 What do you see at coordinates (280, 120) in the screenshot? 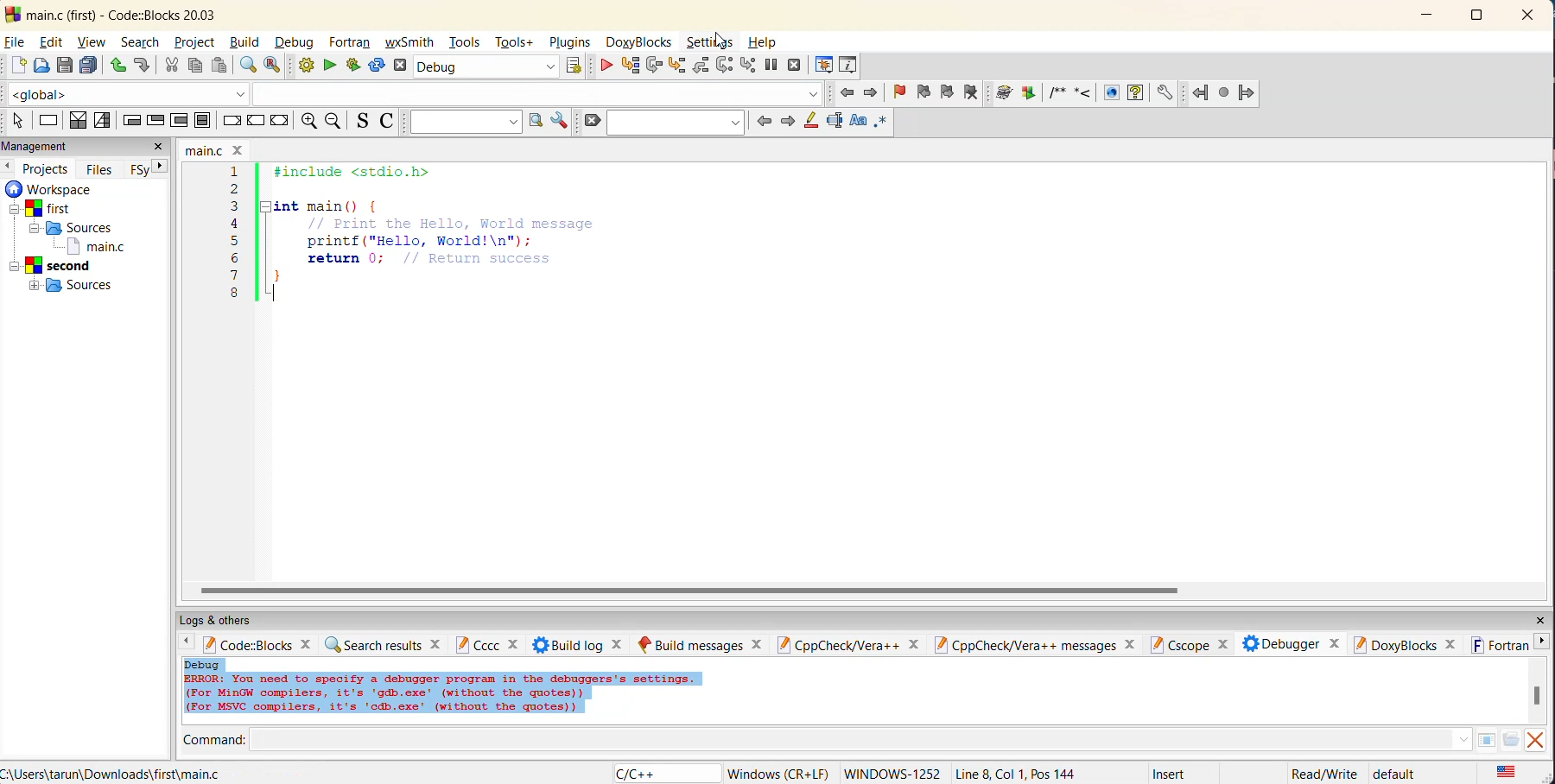
I see `return instruction` at bounding box center [280, 120].